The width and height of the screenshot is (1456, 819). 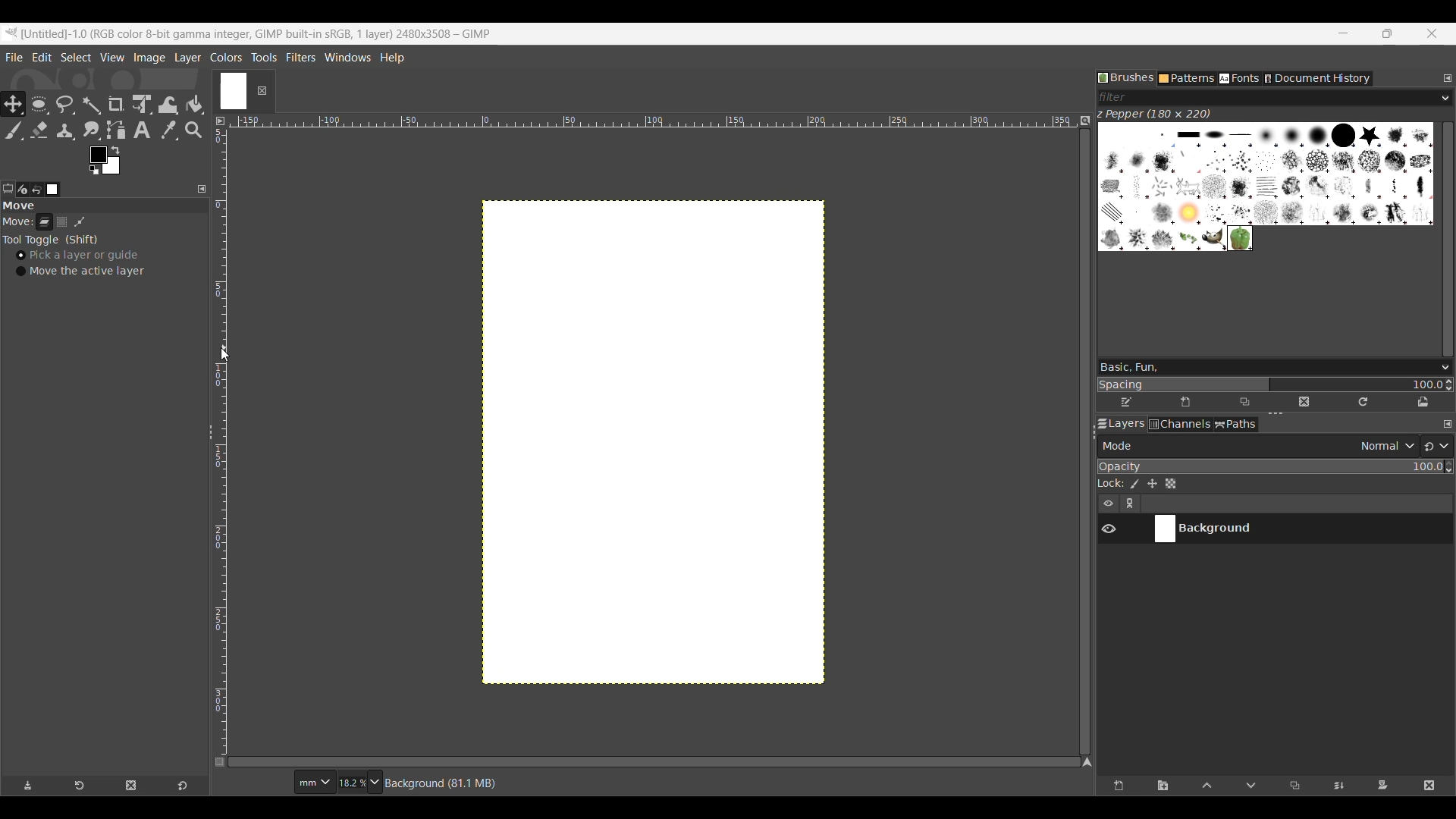 What do you see at coordinates (1111, 483) in the screenshot?
I see `Indicates lock settings` at bounding box center [1111, 483].